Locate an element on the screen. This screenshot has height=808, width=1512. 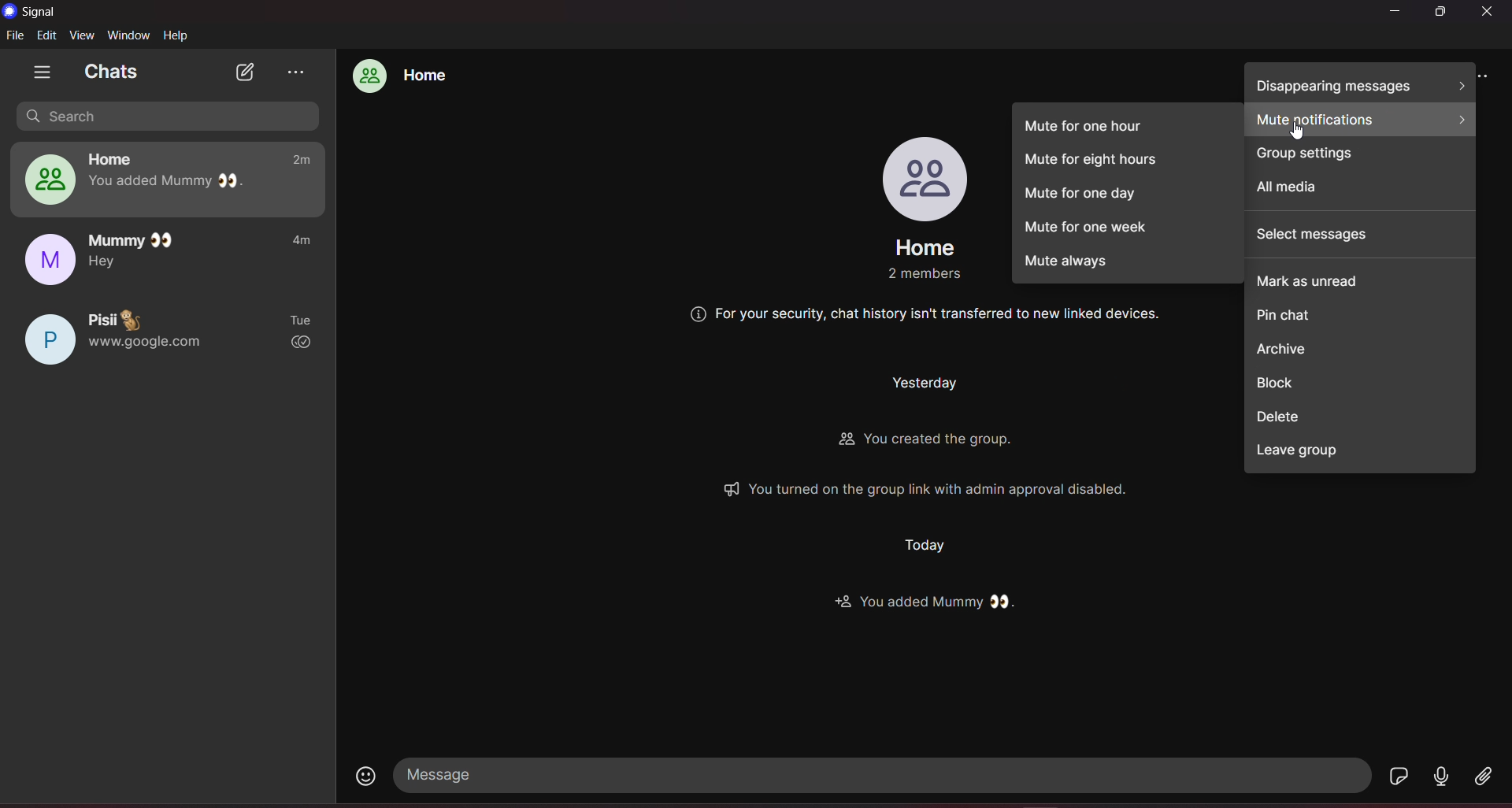
window is located at coordinates (129, 36).